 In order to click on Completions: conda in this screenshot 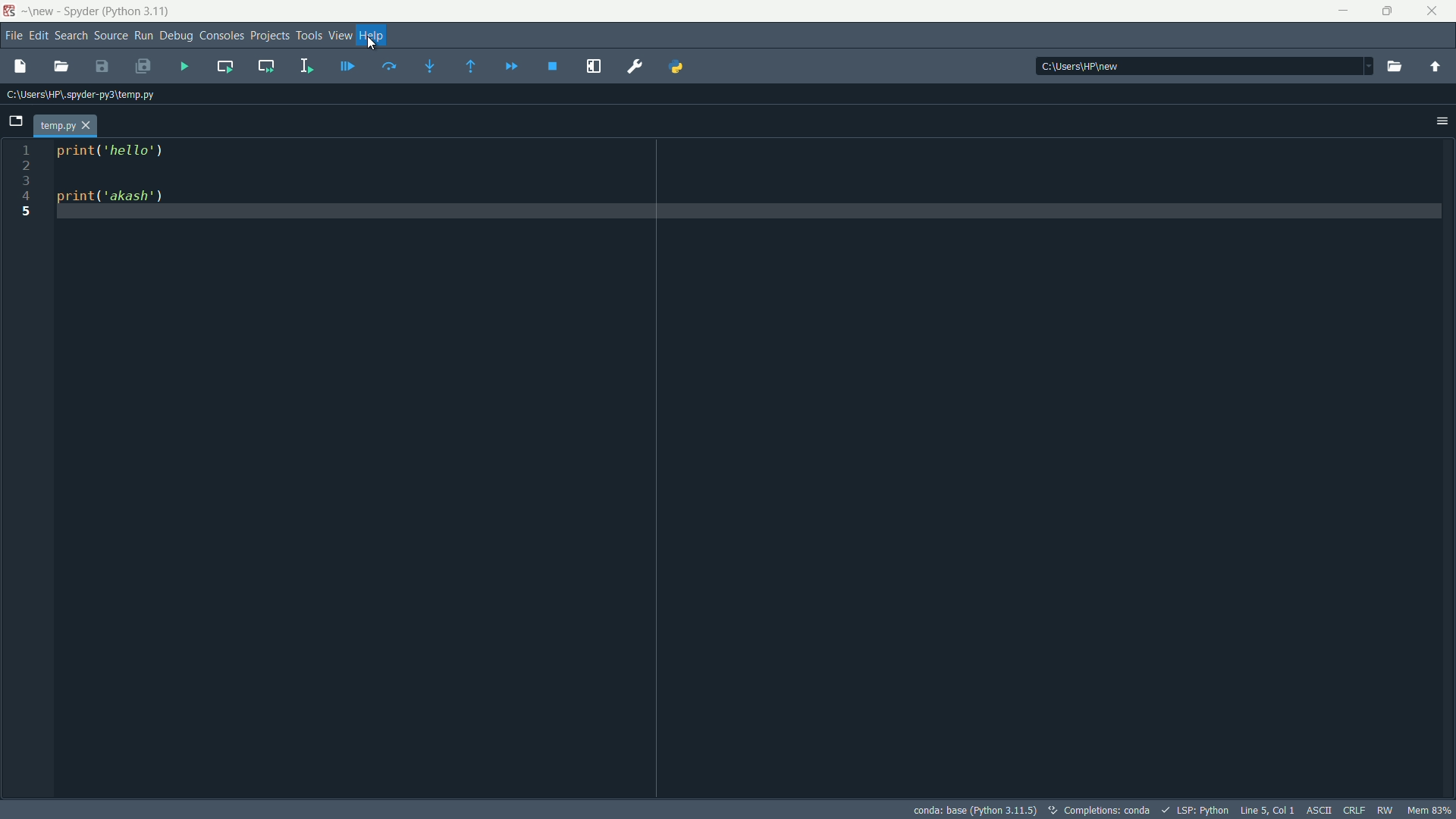, I will do `click(1095, 810)`.